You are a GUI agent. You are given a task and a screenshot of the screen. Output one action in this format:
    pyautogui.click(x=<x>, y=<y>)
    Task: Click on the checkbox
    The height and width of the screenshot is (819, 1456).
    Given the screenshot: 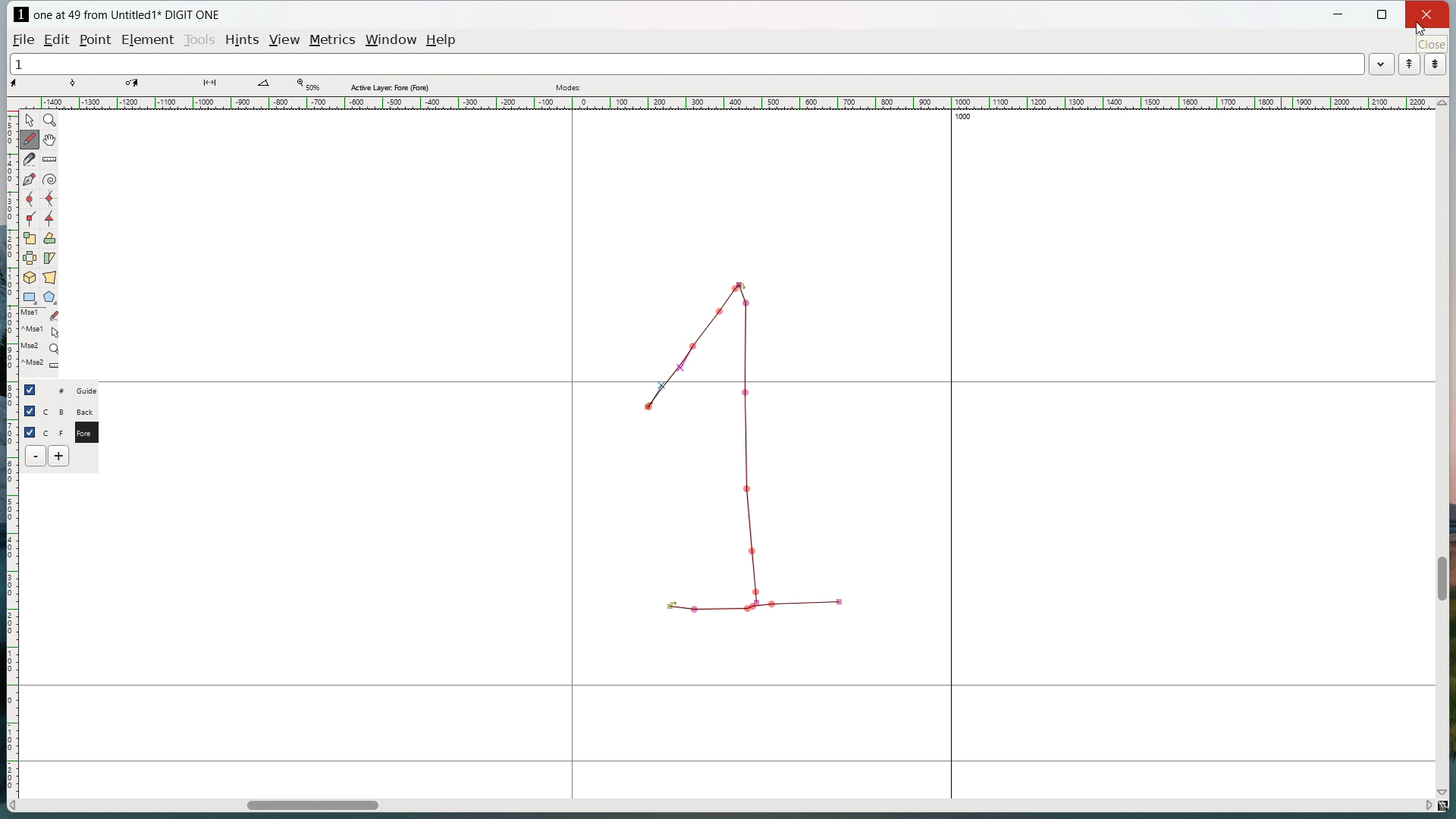 What is the action you would take?
    pyautogui.click(x=30, y=411)
    